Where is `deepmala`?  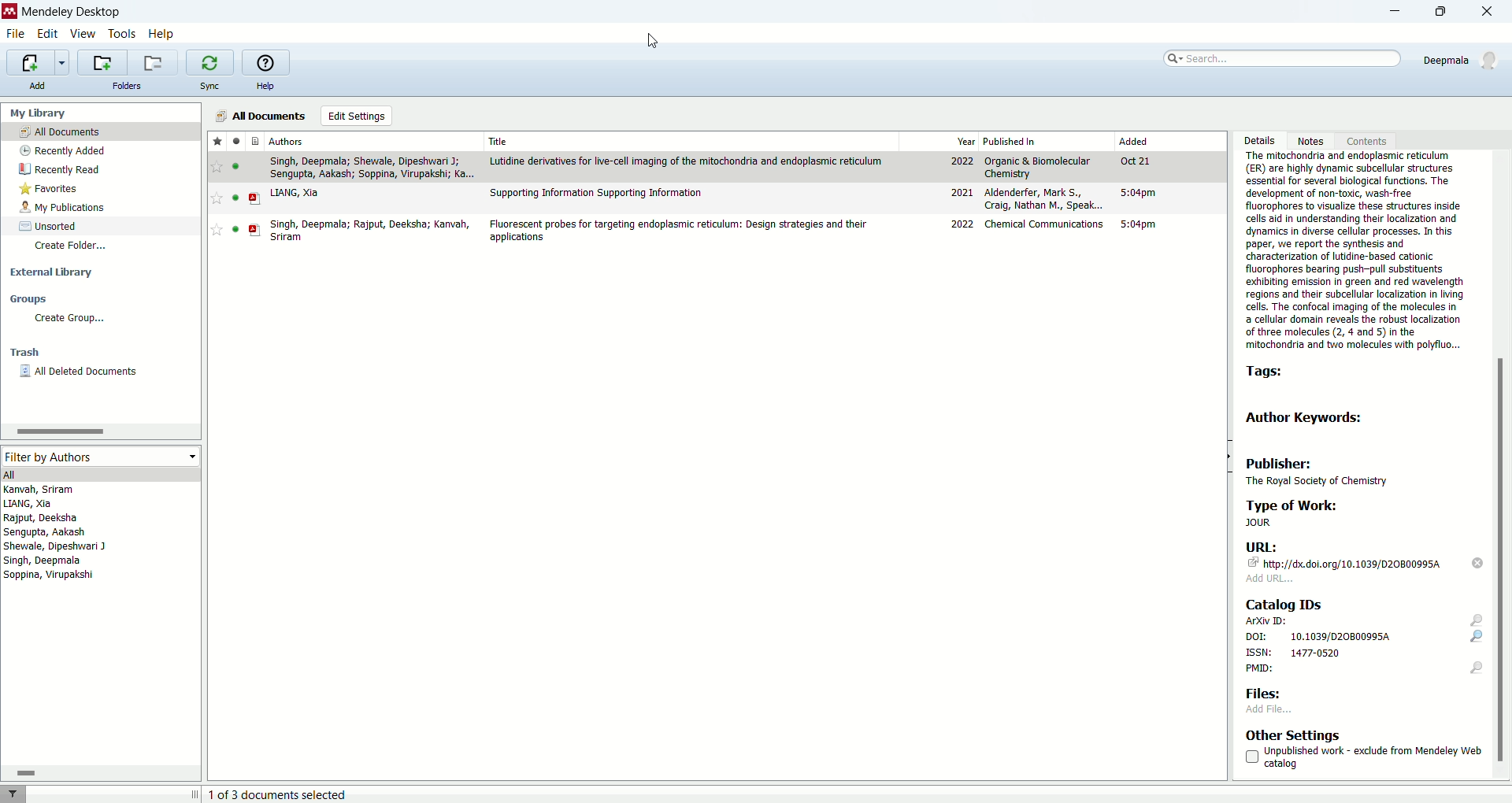
deepmala is located at coordinates (1463, 60).